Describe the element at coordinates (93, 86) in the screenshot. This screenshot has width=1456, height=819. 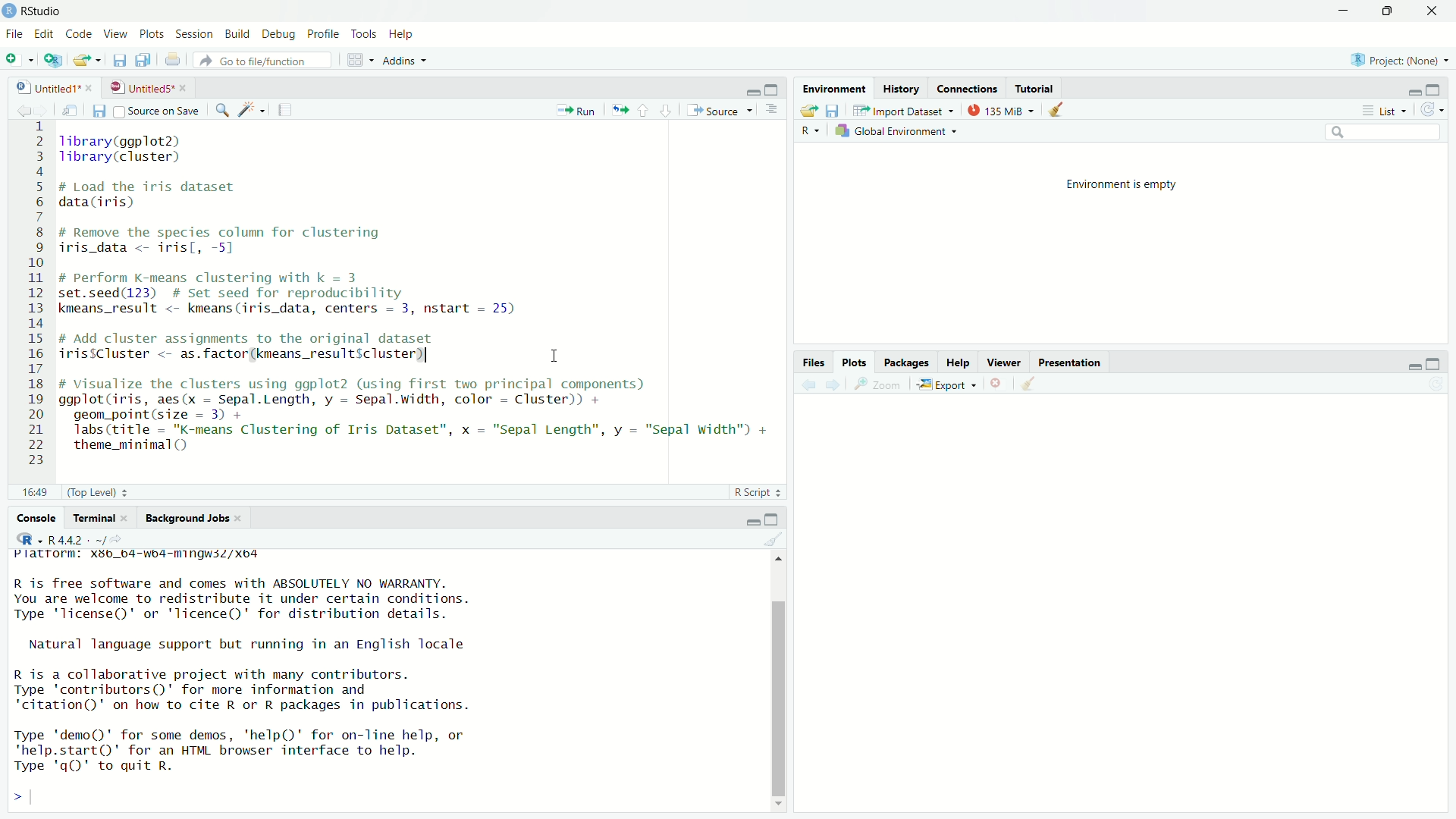
I see `close` at that location.